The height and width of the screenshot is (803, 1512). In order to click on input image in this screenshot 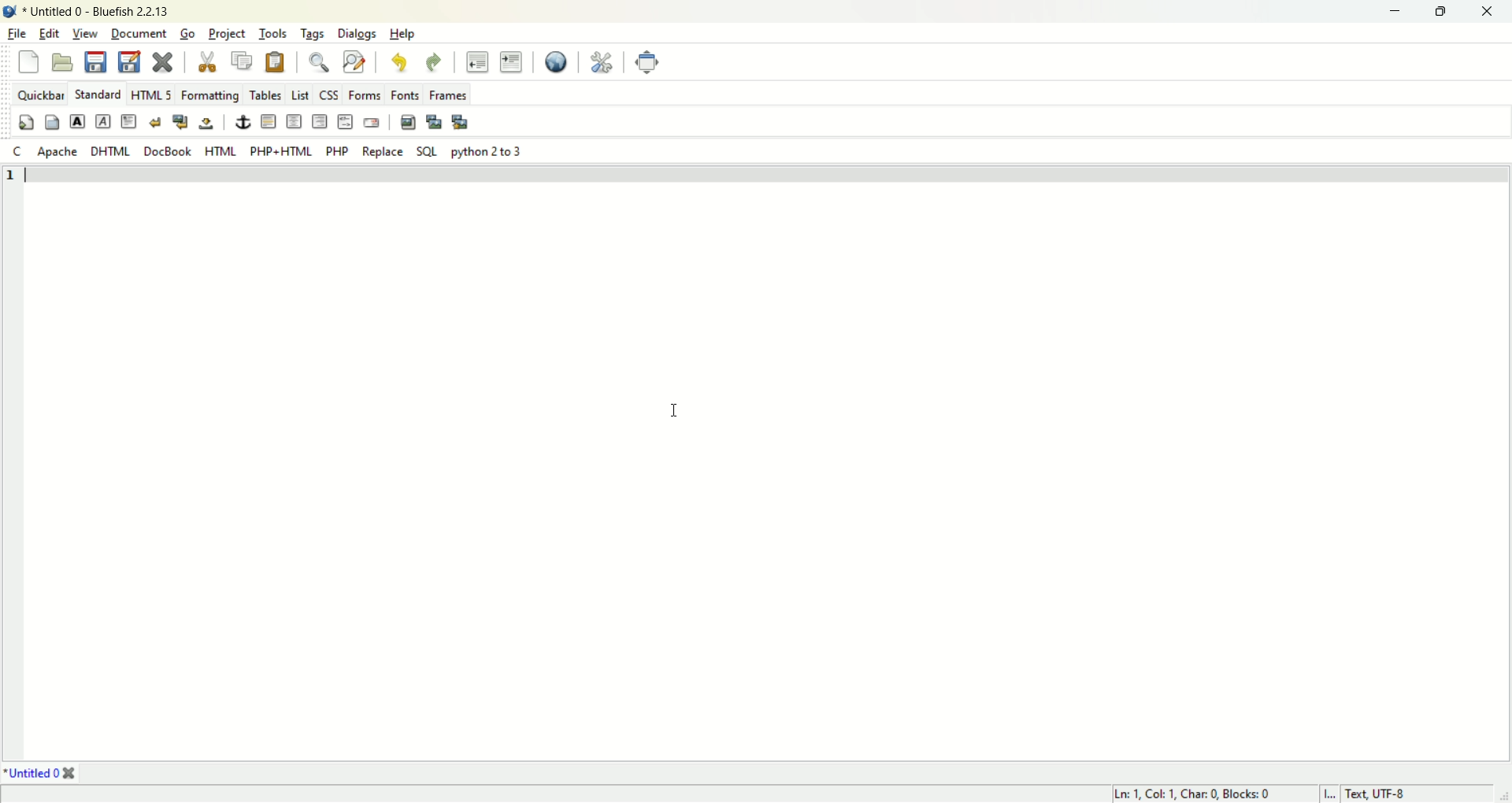, I will do `click(409, 122)`.